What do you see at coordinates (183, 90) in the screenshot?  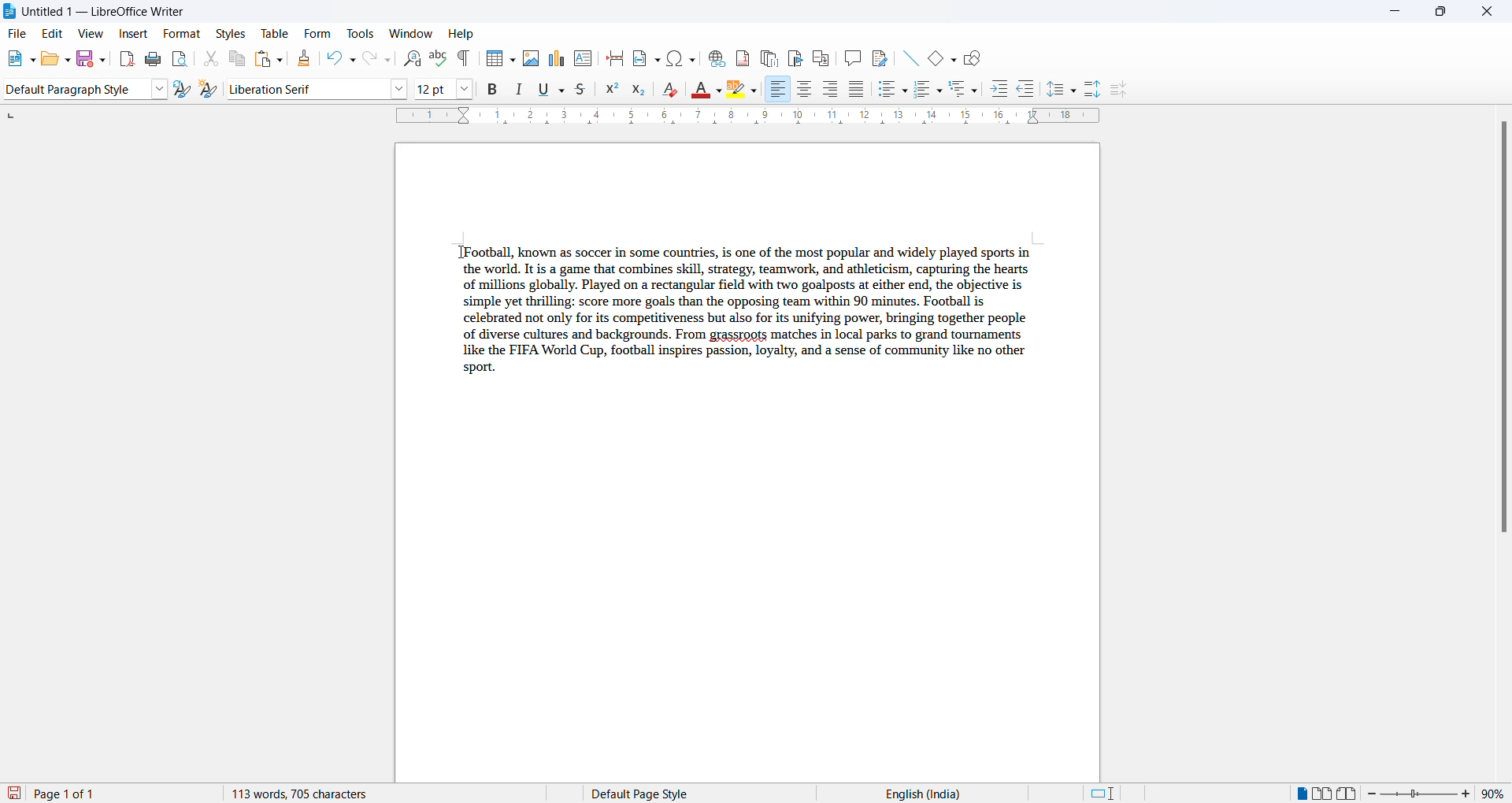 I see `update selected style` at bounding box center [183, 90].